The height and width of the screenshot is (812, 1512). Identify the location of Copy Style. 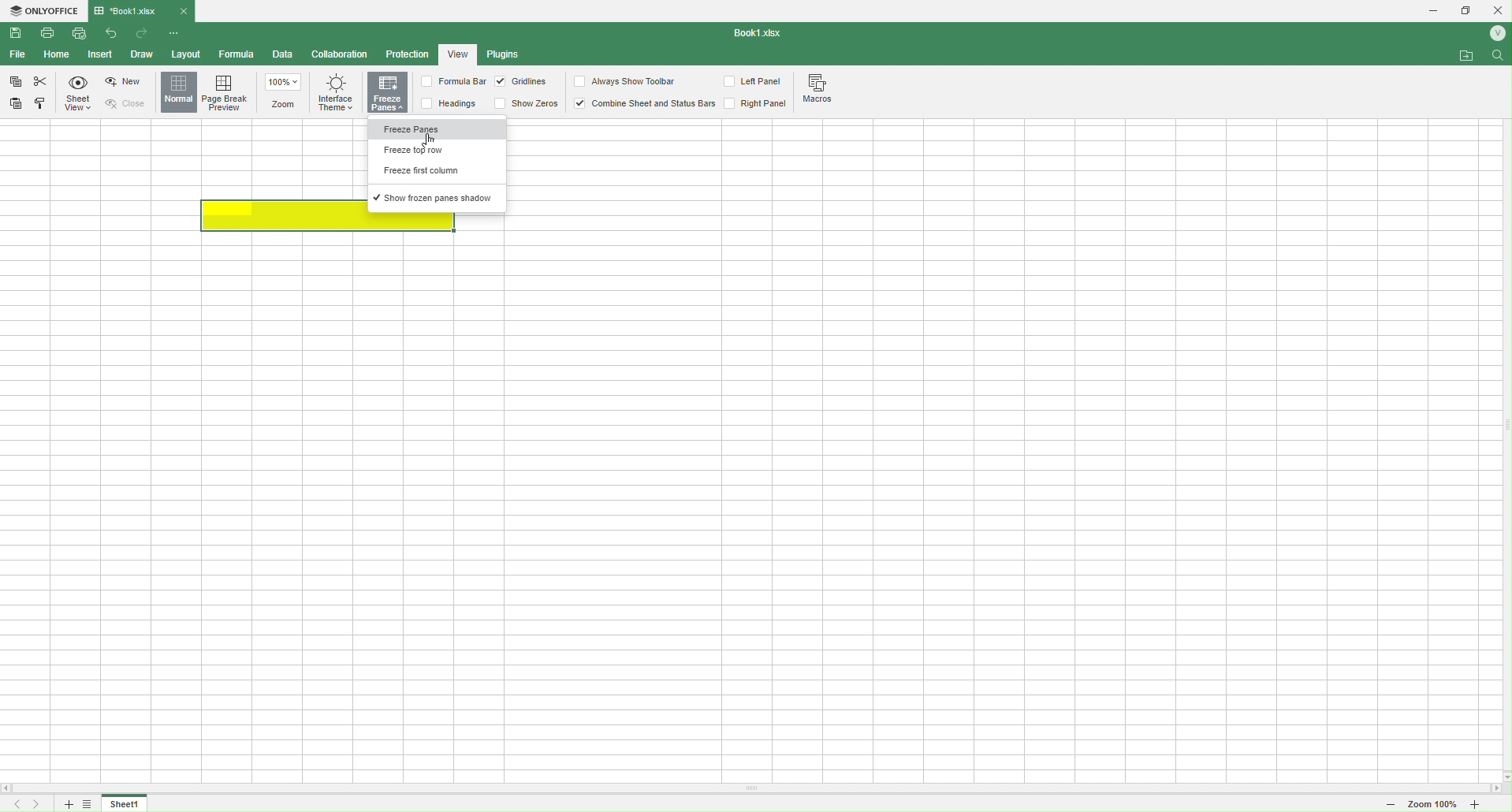
(41, 106).